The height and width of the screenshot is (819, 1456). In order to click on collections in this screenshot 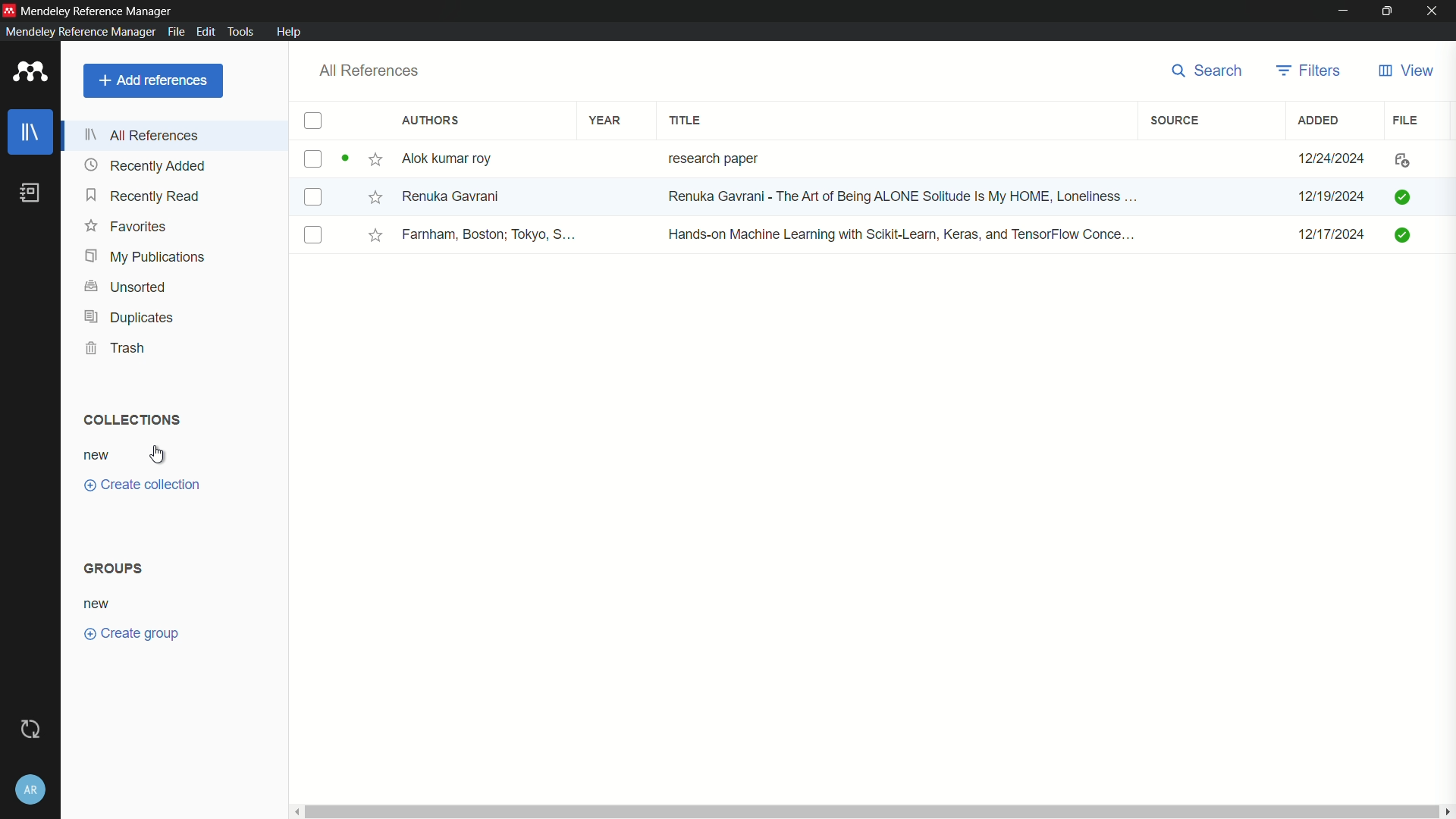, I will do `click(131, 421)`.